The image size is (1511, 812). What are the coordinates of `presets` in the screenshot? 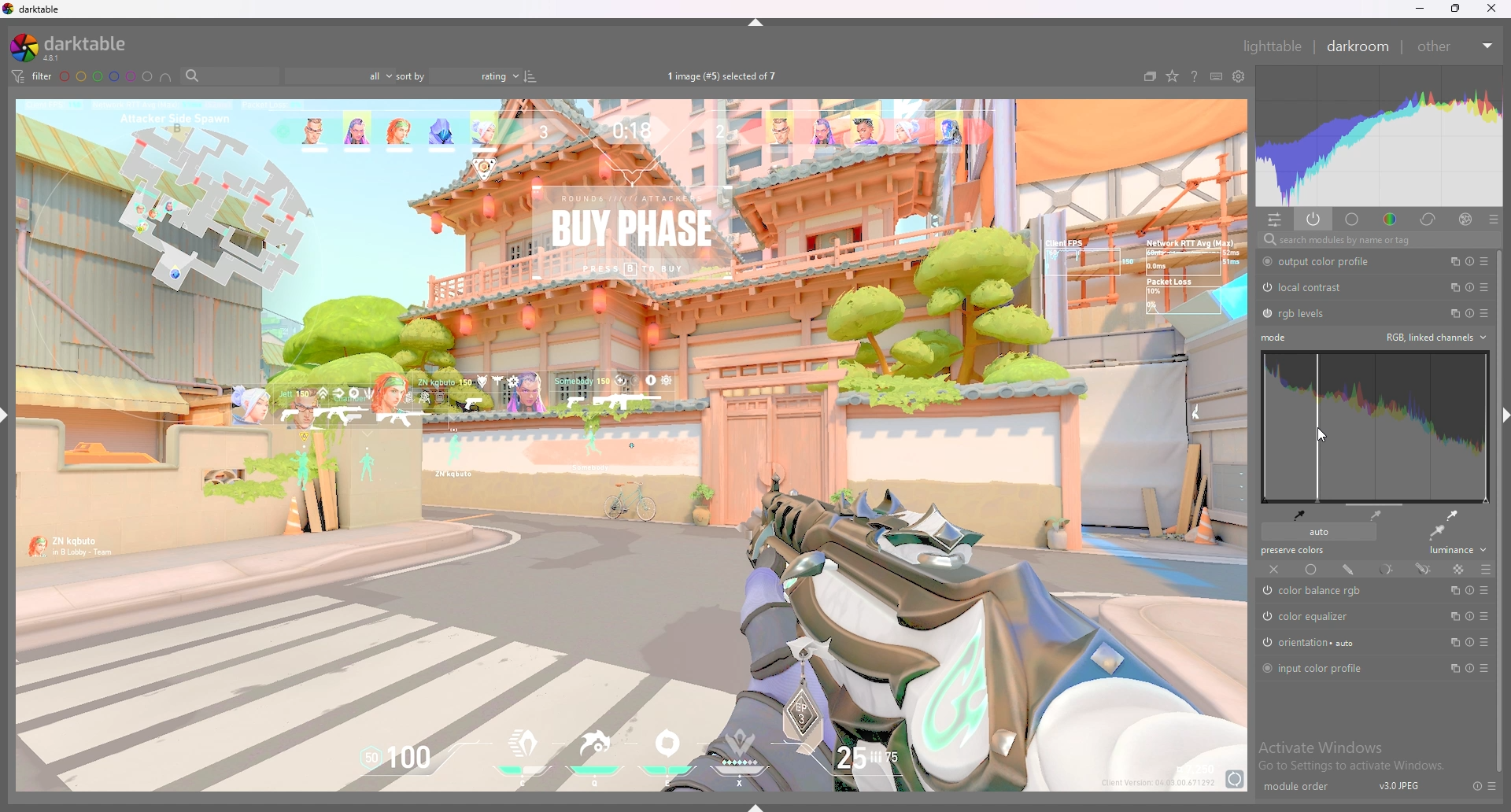 It's located at (1485, 286).